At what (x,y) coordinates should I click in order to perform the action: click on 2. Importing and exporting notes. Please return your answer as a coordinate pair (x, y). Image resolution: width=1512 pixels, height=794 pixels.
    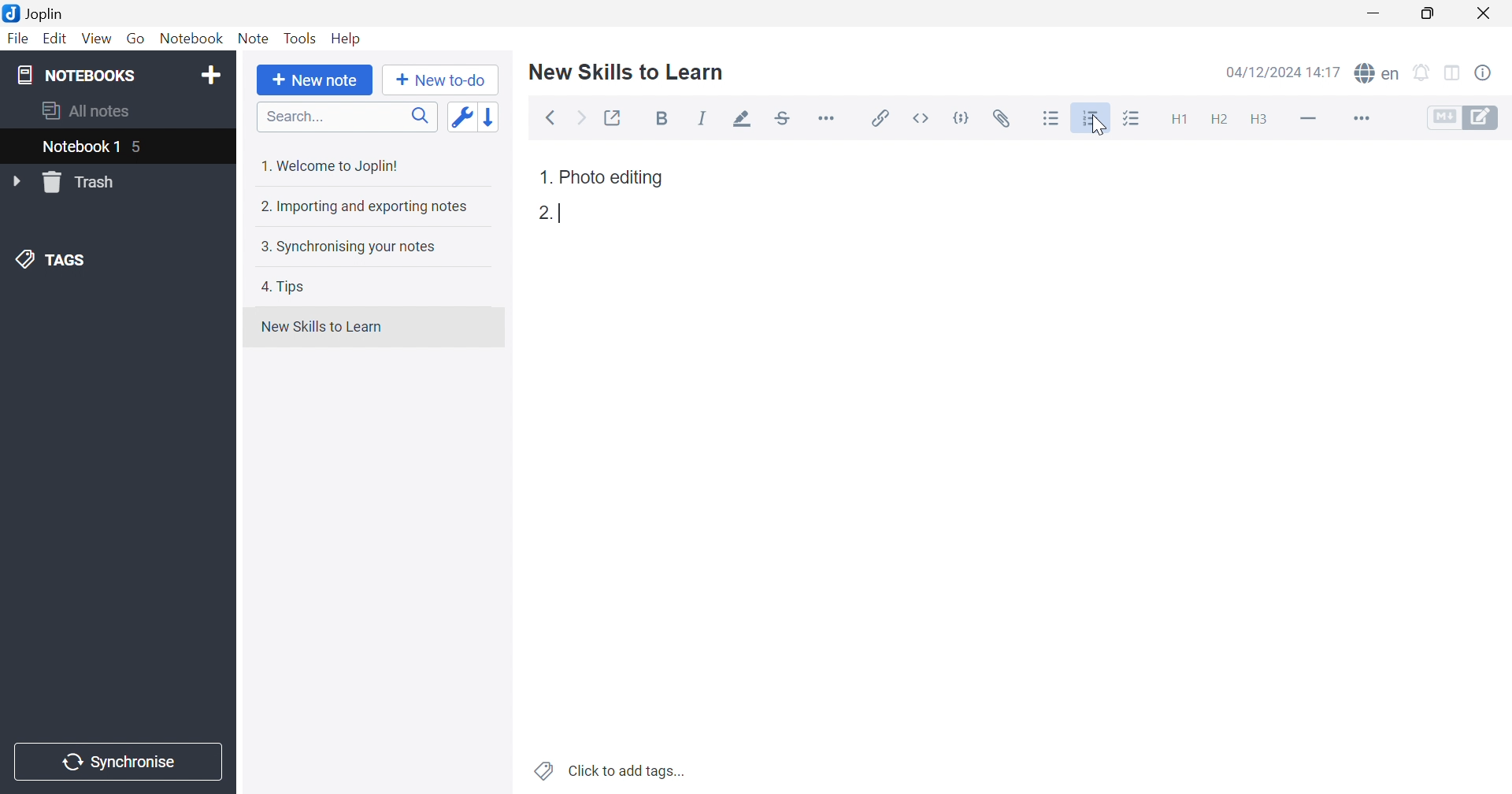
    Looking at the image, I should click on (362, 206).